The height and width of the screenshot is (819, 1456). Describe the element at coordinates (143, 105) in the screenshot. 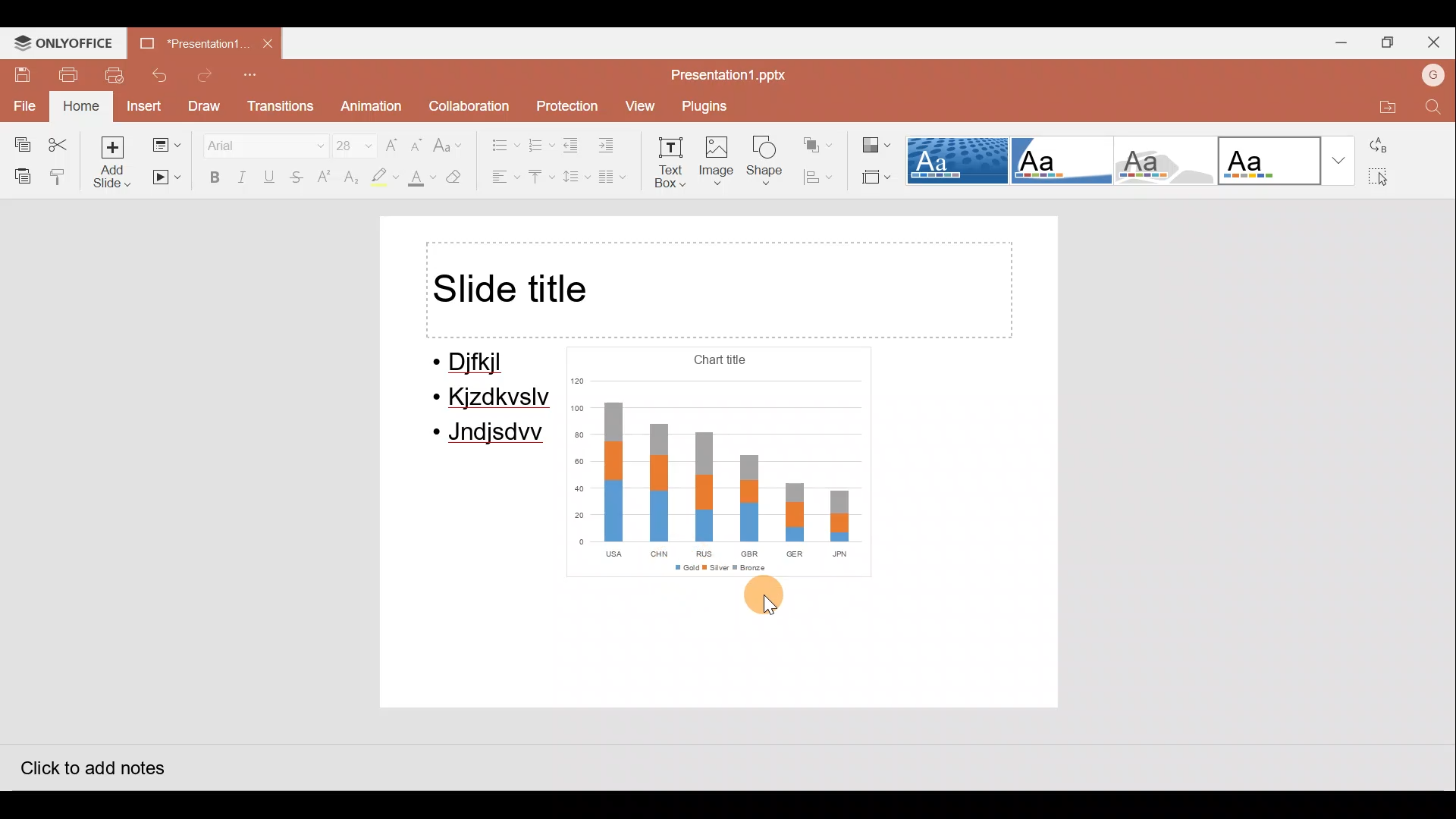

I see `Insert` at that location.